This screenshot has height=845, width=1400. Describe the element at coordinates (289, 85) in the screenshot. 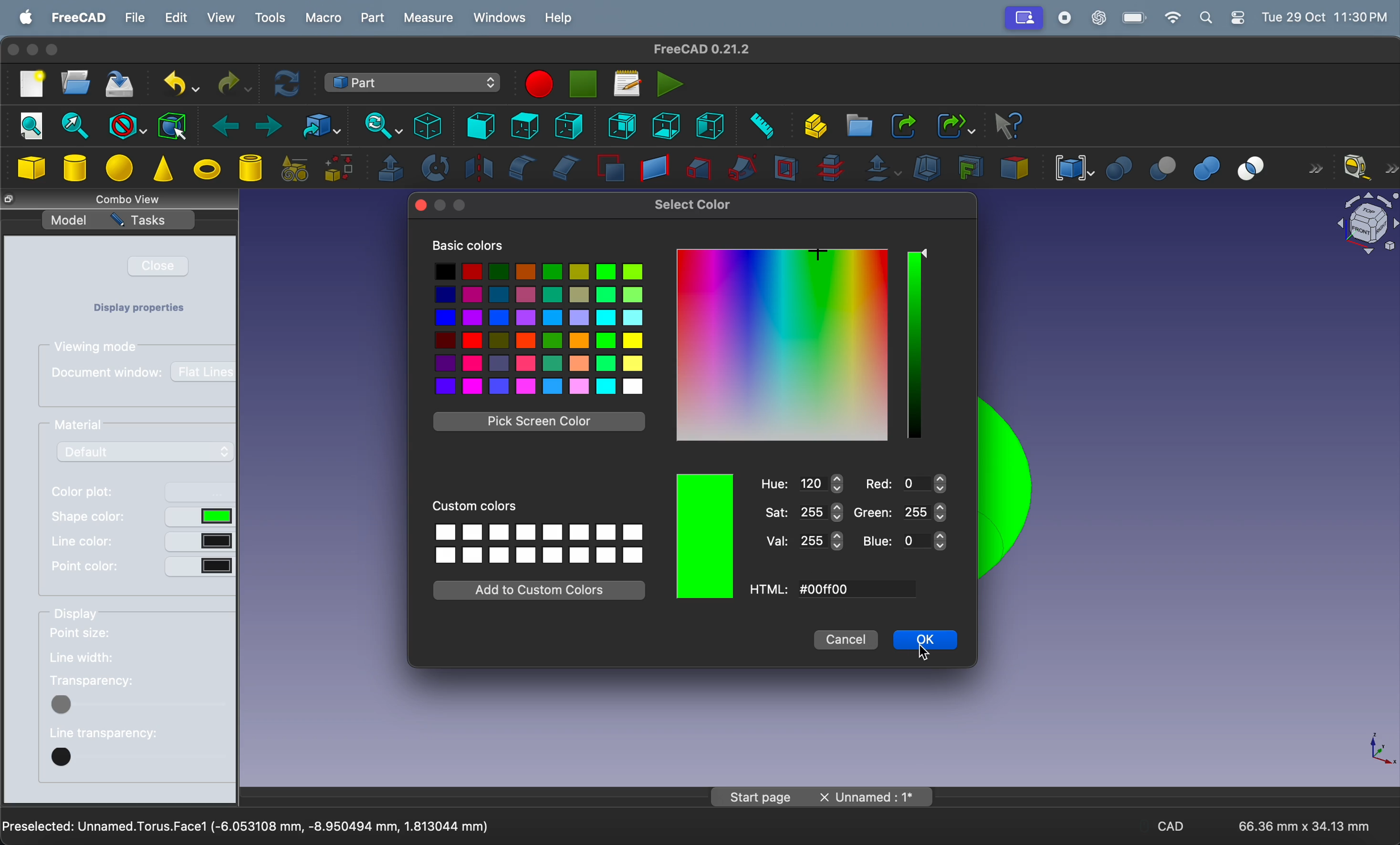

I see `refresh` at that location.